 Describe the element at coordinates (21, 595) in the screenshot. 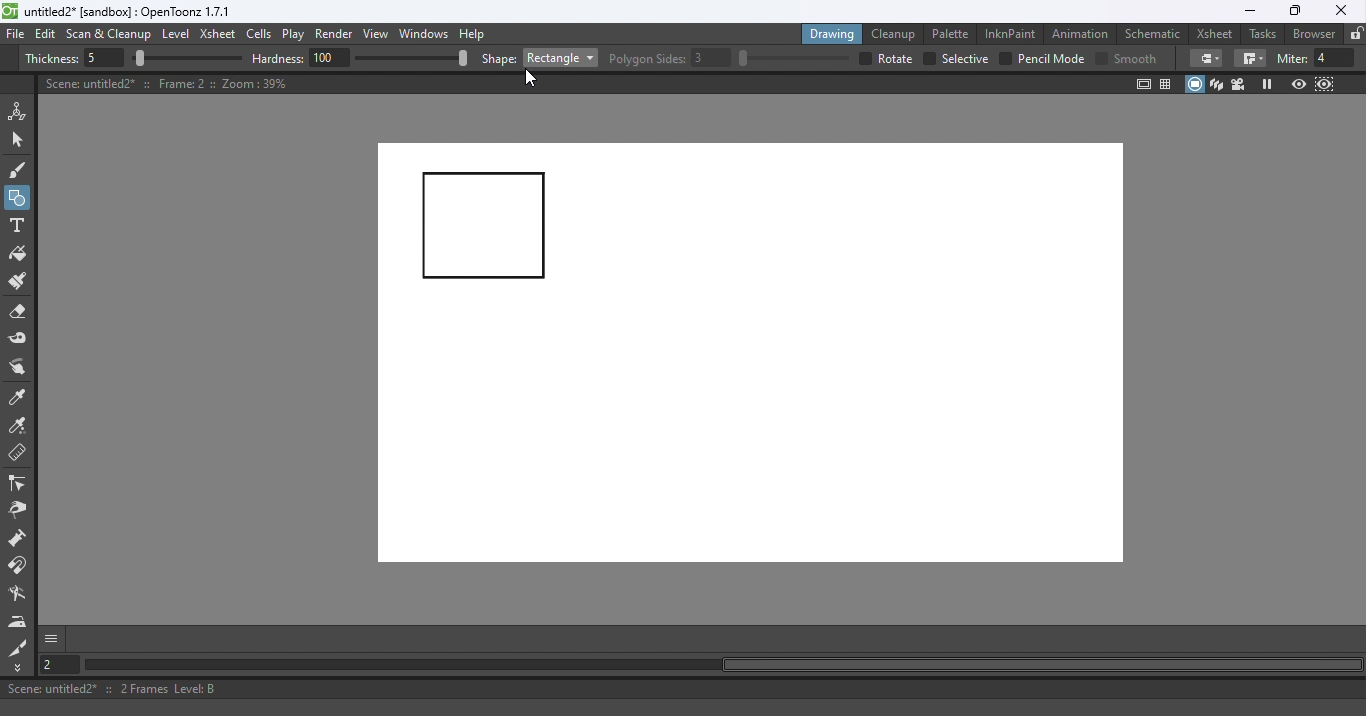

I see `Blender tool` at that location.